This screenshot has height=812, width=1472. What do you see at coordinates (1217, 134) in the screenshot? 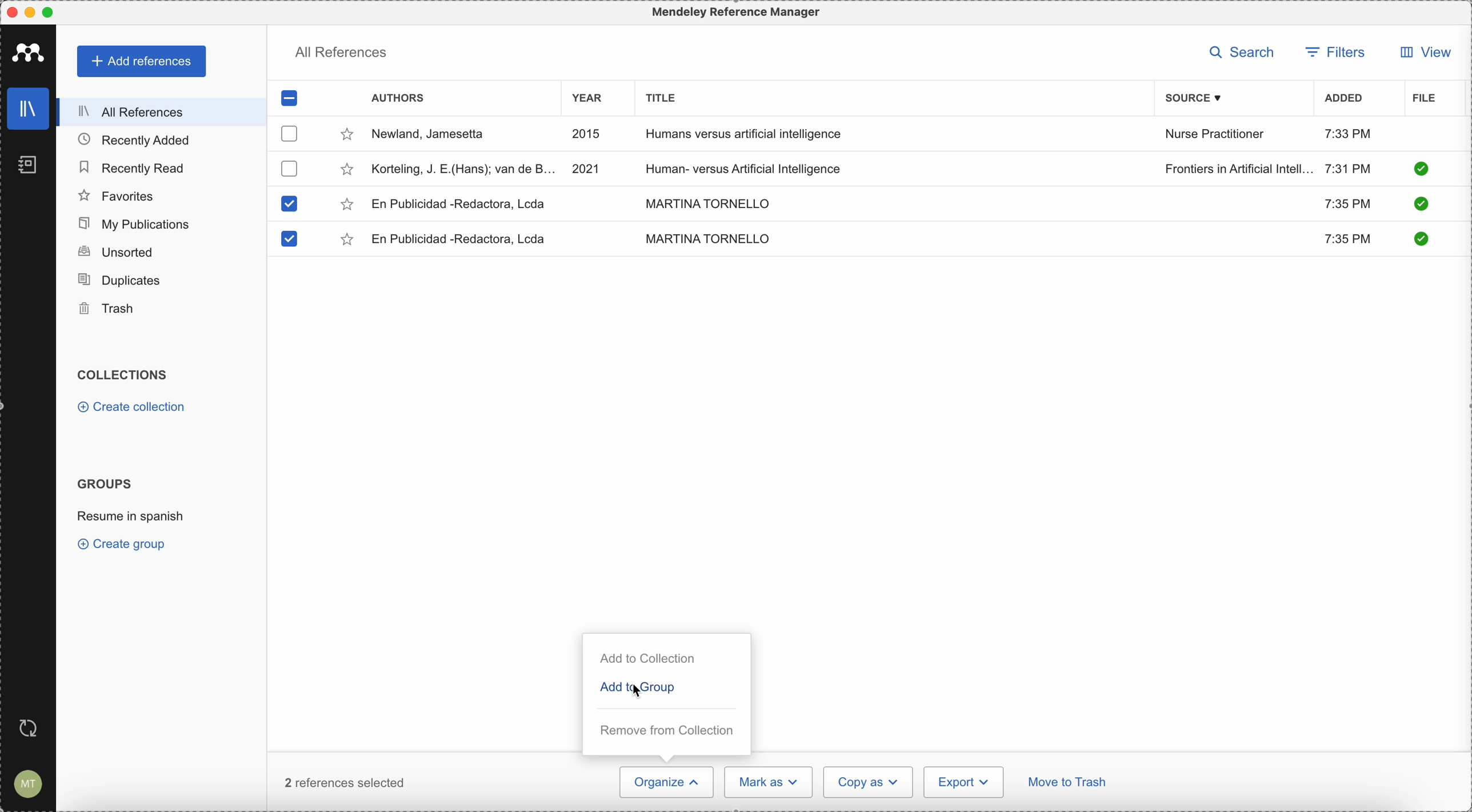
I see `Nurse Practitioner` at bounding box center [1217, 134].